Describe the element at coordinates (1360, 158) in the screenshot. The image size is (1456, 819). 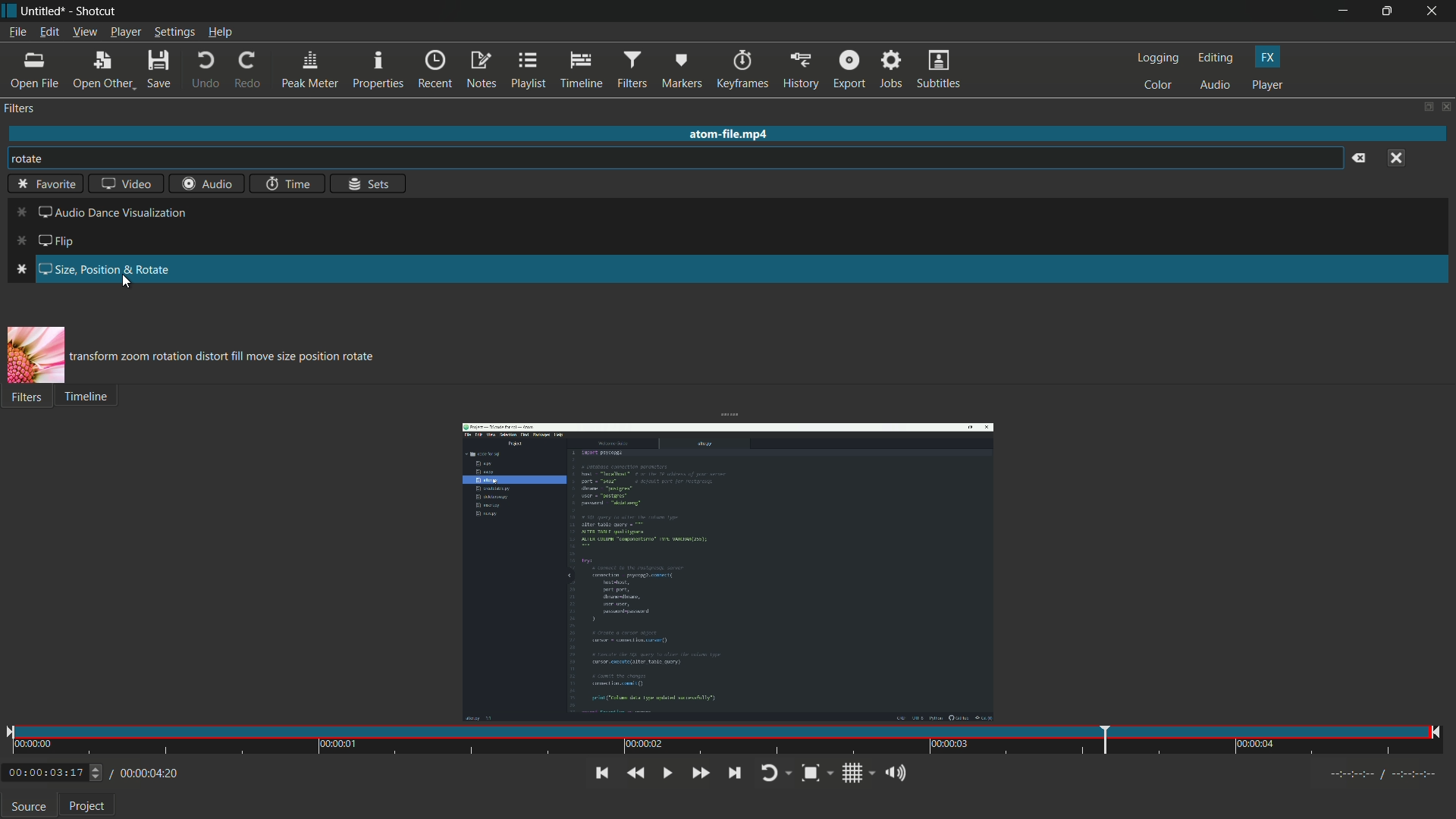
I see `clear search` at that location.